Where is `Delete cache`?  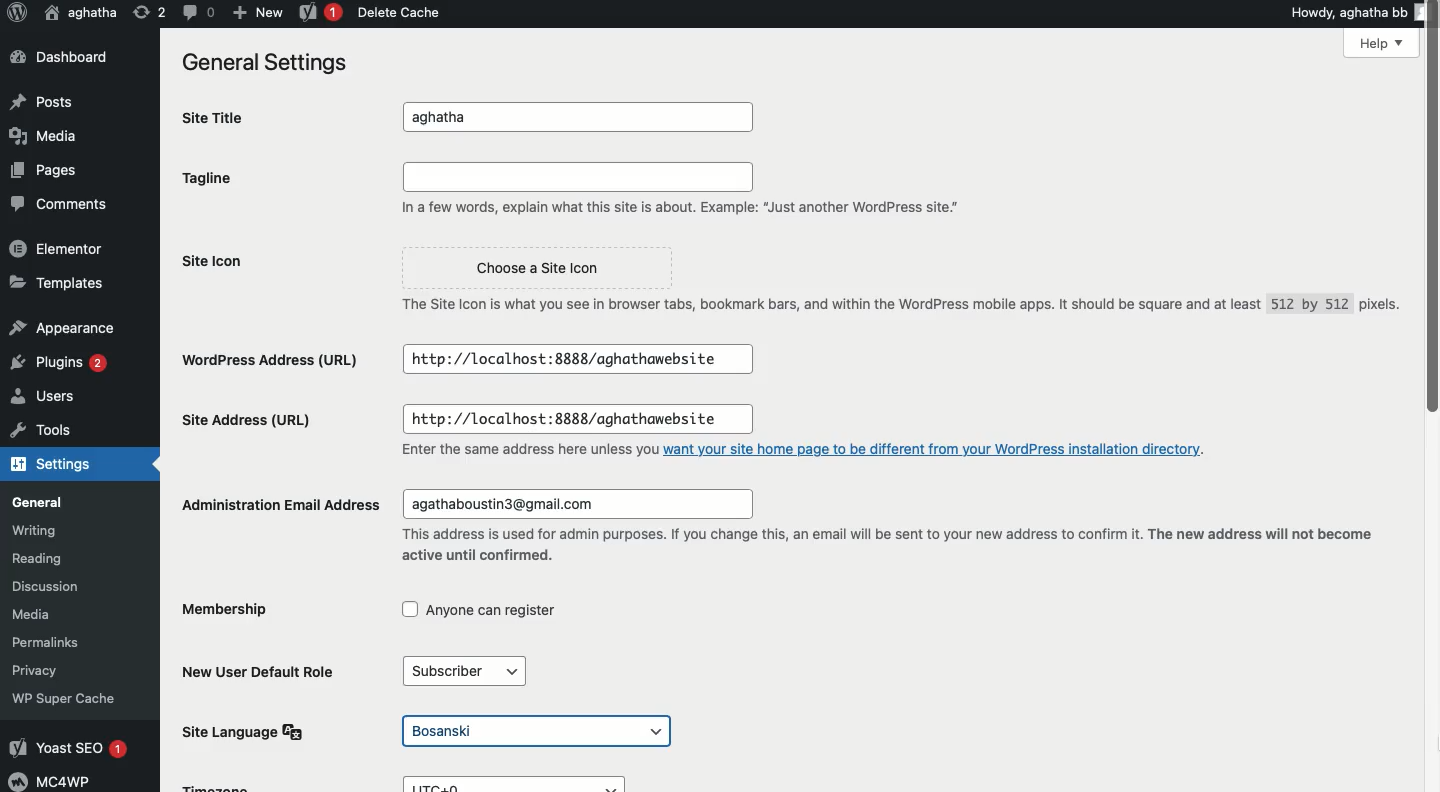
Delete cache is located at coordinates (396, 12).